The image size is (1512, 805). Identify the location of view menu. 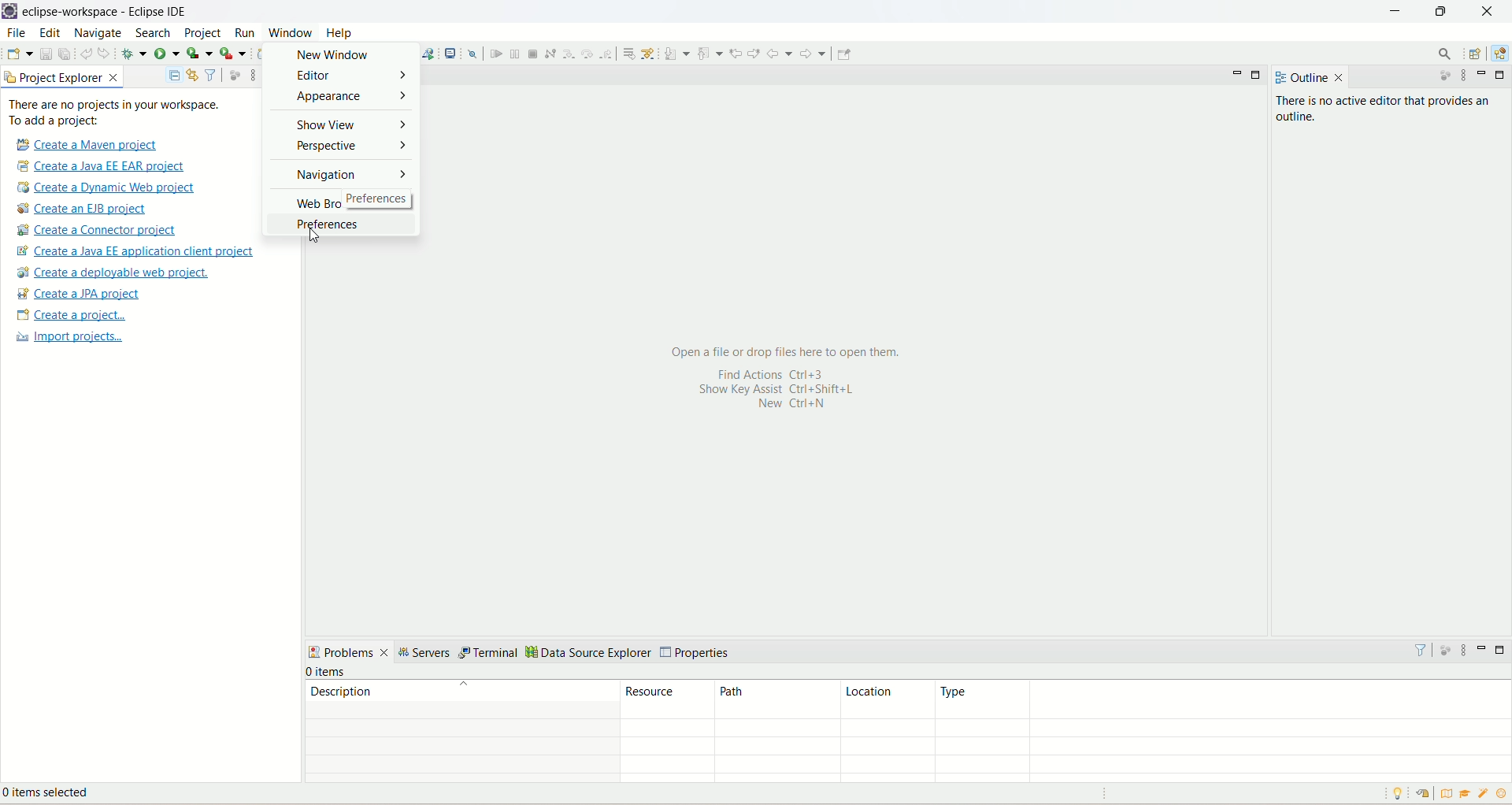
(1466, 77).